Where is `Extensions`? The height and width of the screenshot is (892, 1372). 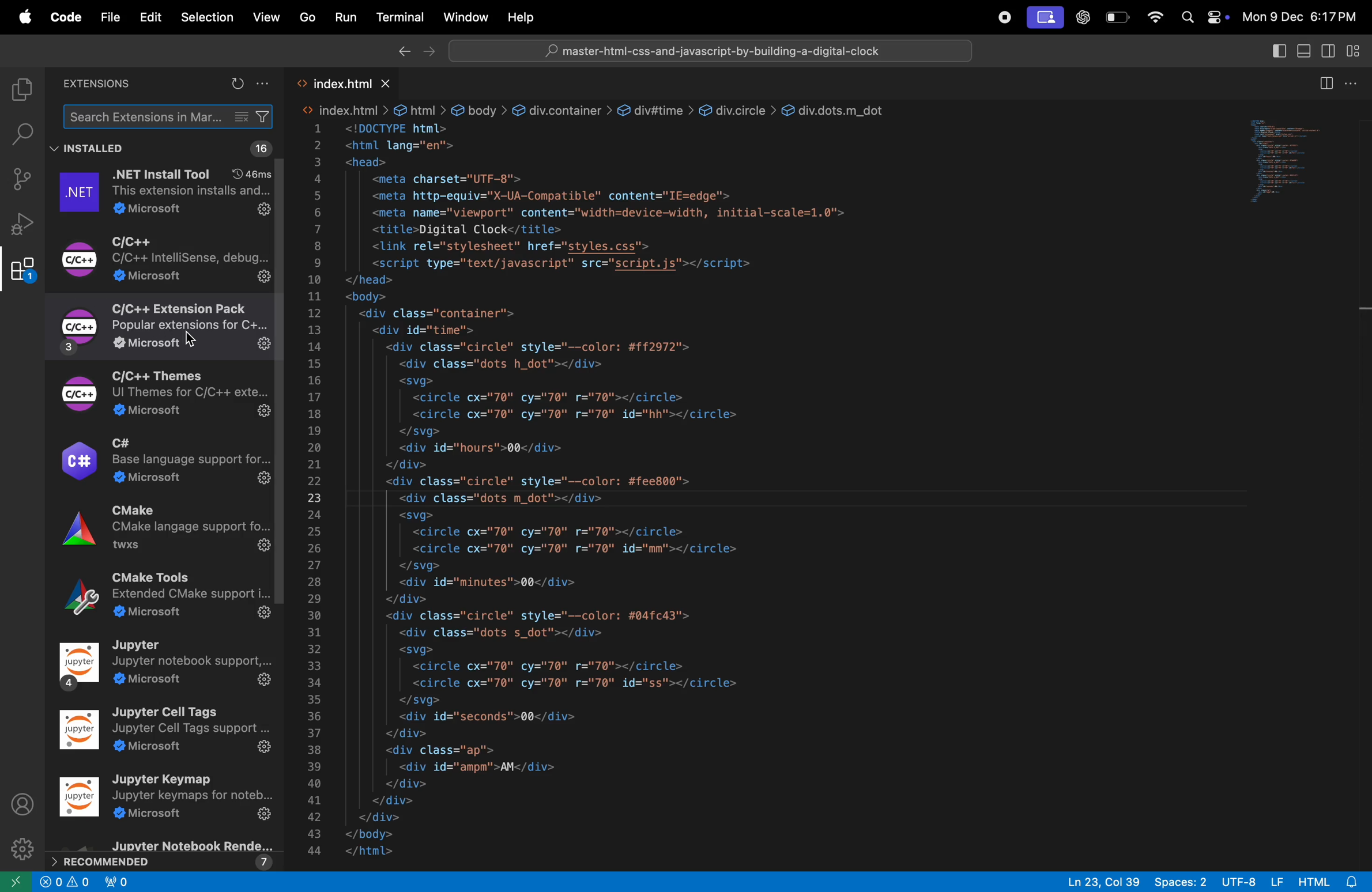
Extensions is located at coordinates (22, 270).